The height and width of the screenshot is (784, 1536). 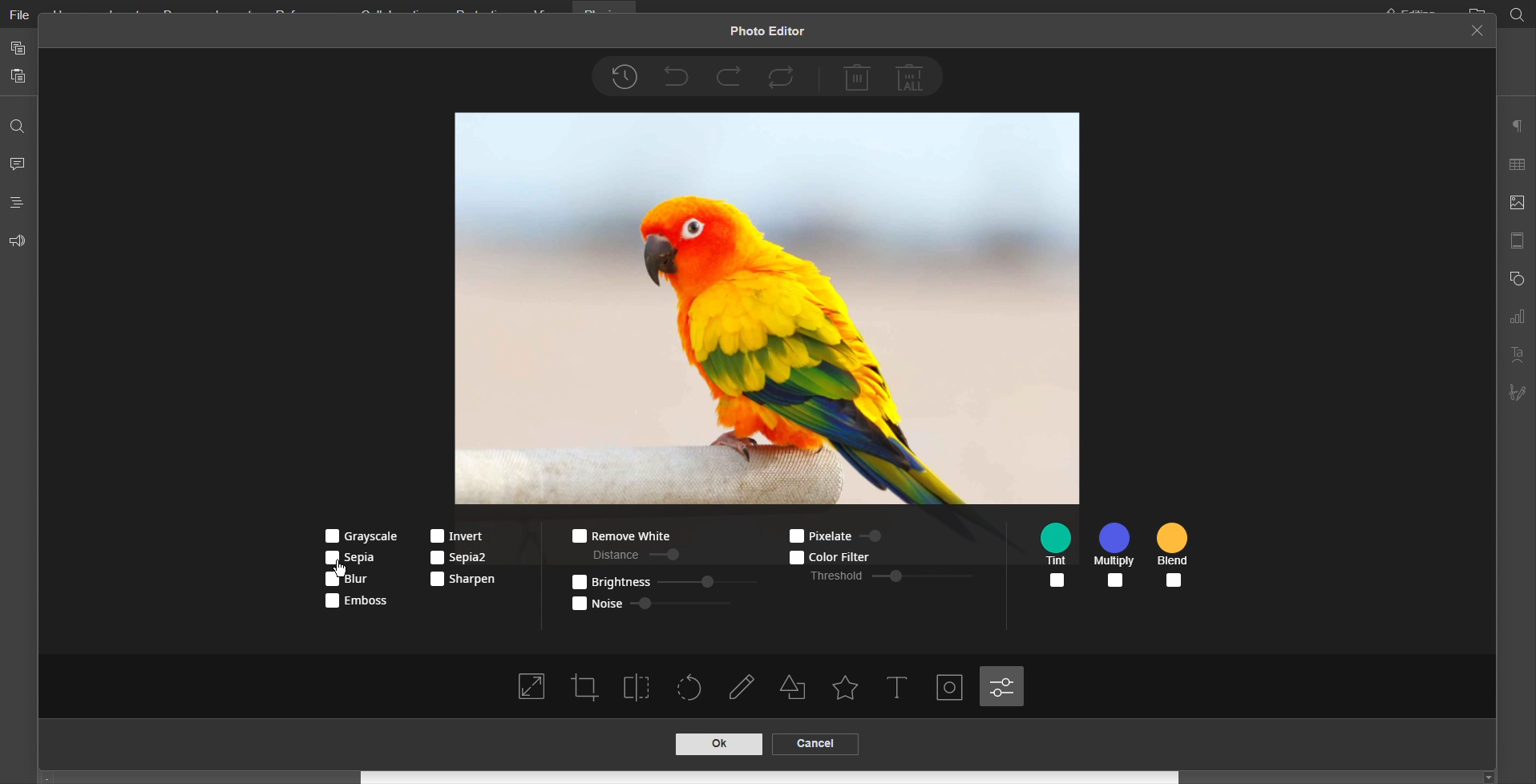 I want to click on Undo, so click(x=675, y=75).